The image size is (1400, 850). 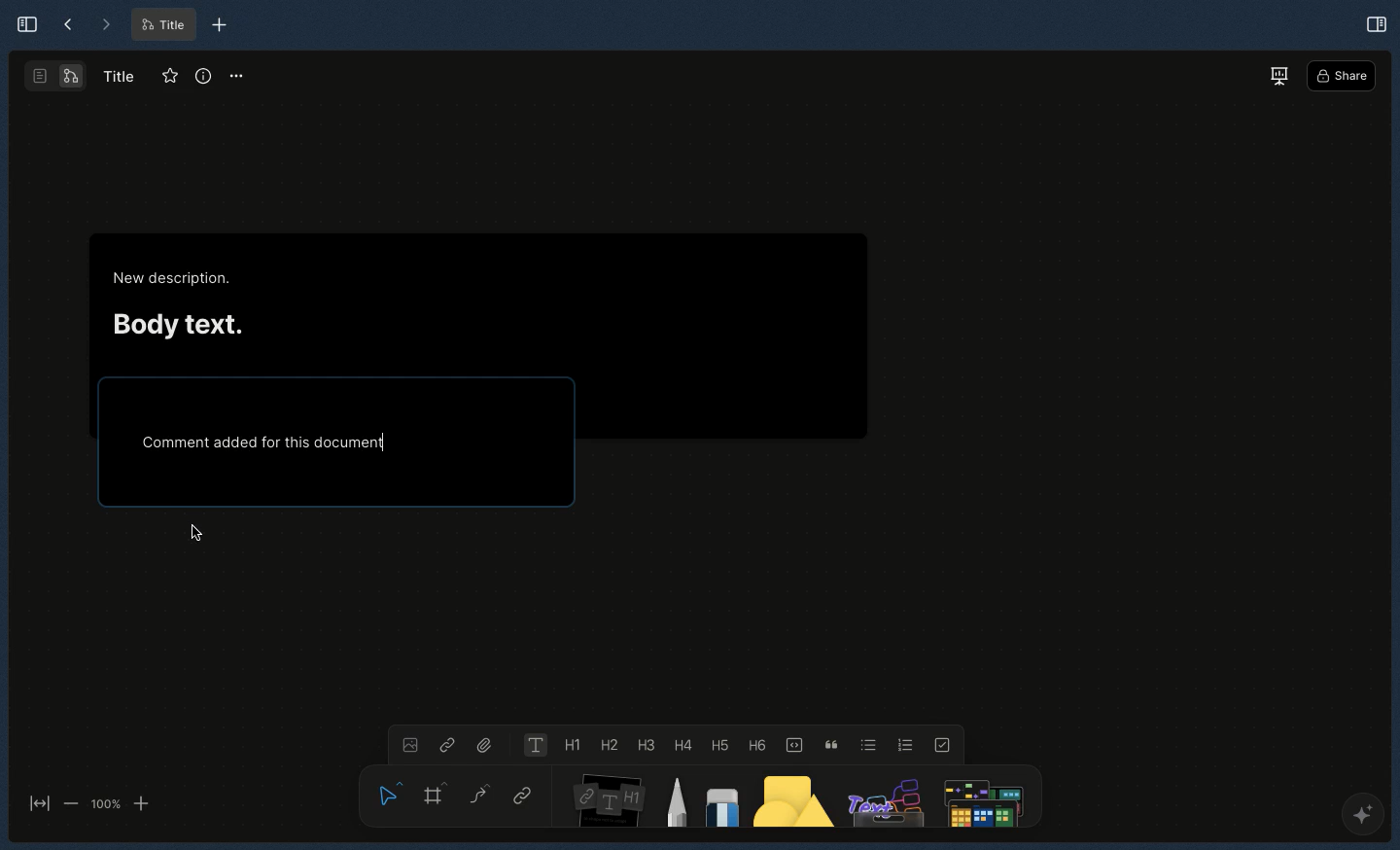 What do you see at coordinates (177, 321) in the screenshot?
I see `Body text.` at bounding box center [177, 321].